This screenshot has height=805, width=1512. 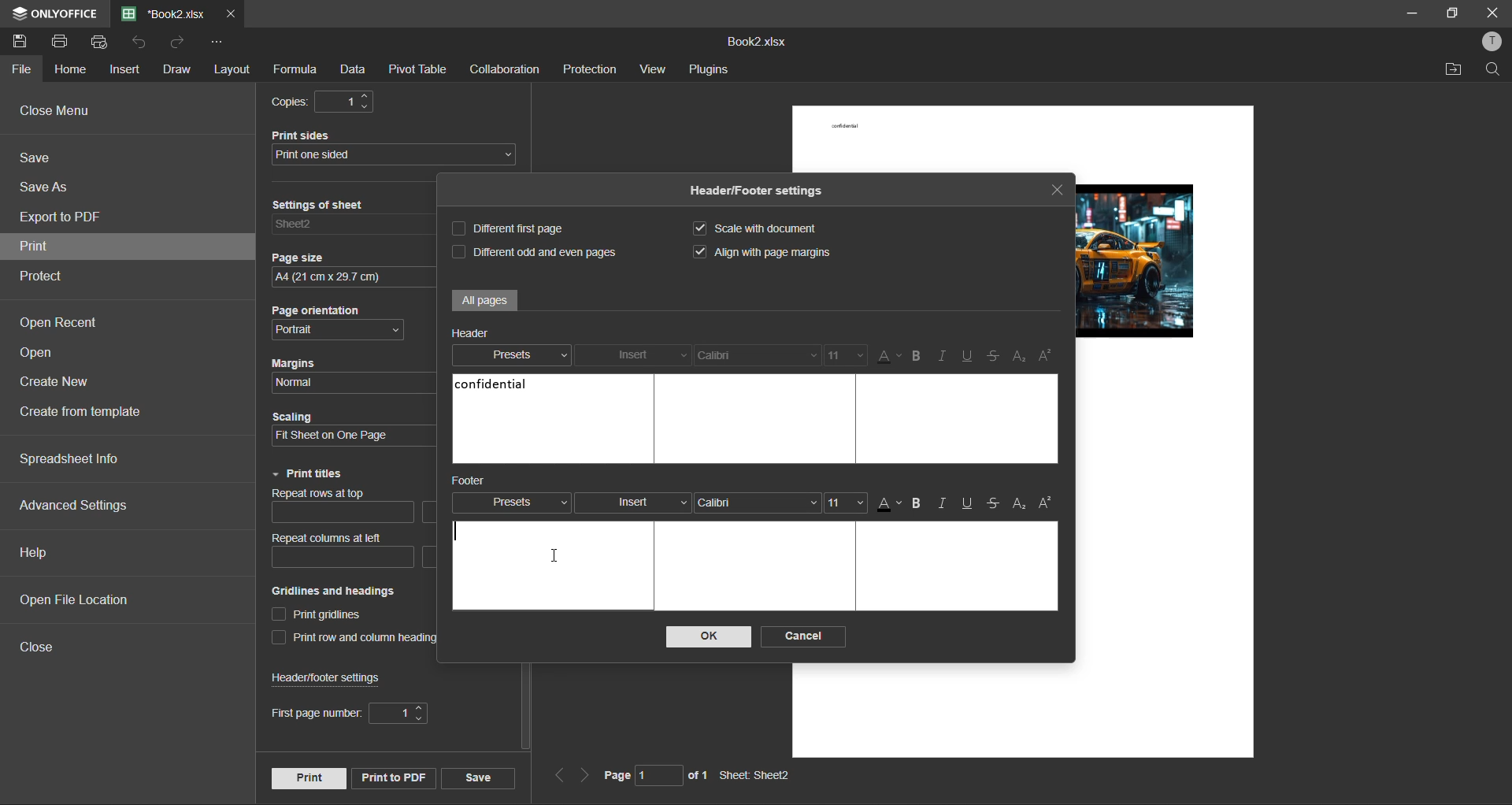 What do you see at coordinates (18, 14) in the screenshot?
I see `icon` at bounding box center [18, 14].